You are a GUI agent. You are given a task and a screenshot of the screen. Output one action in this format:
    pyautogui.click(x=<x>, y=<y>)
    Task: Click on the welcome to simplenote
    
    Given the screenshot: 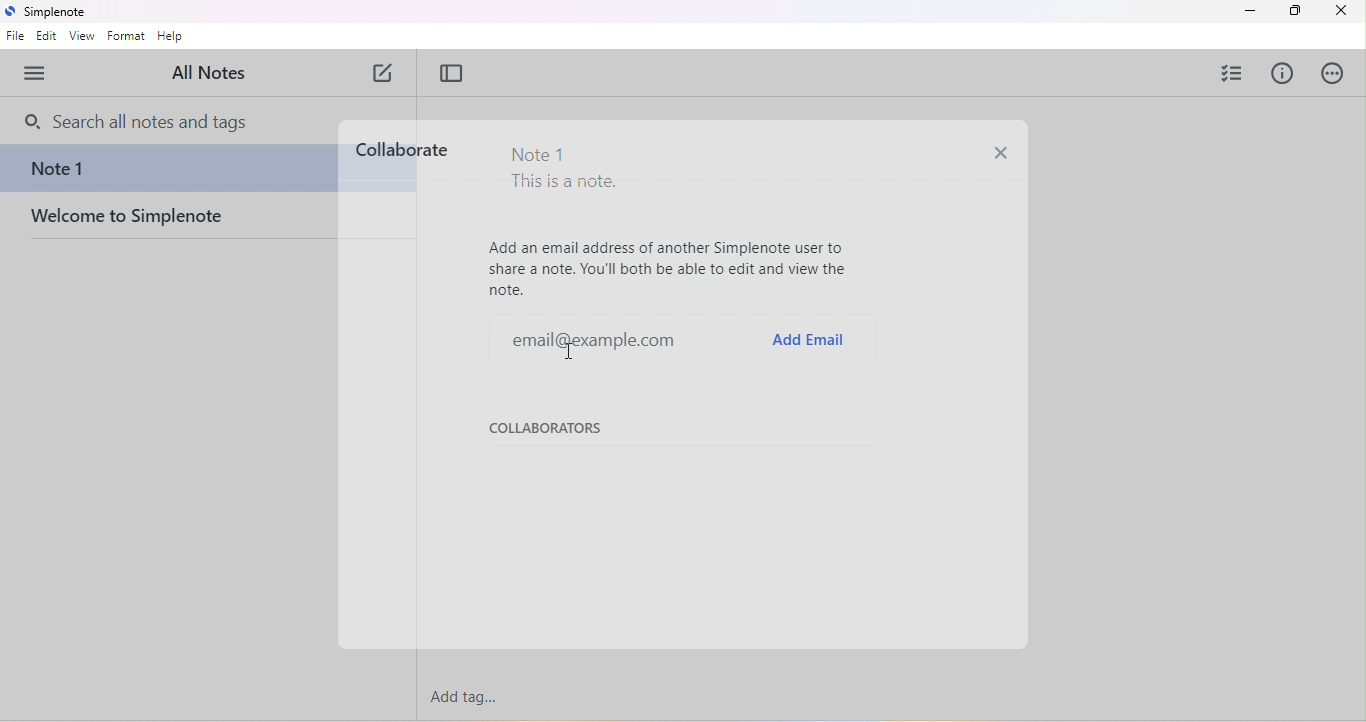 What is the action you would take?
    pyautogui.click(x=172, y=223)
    